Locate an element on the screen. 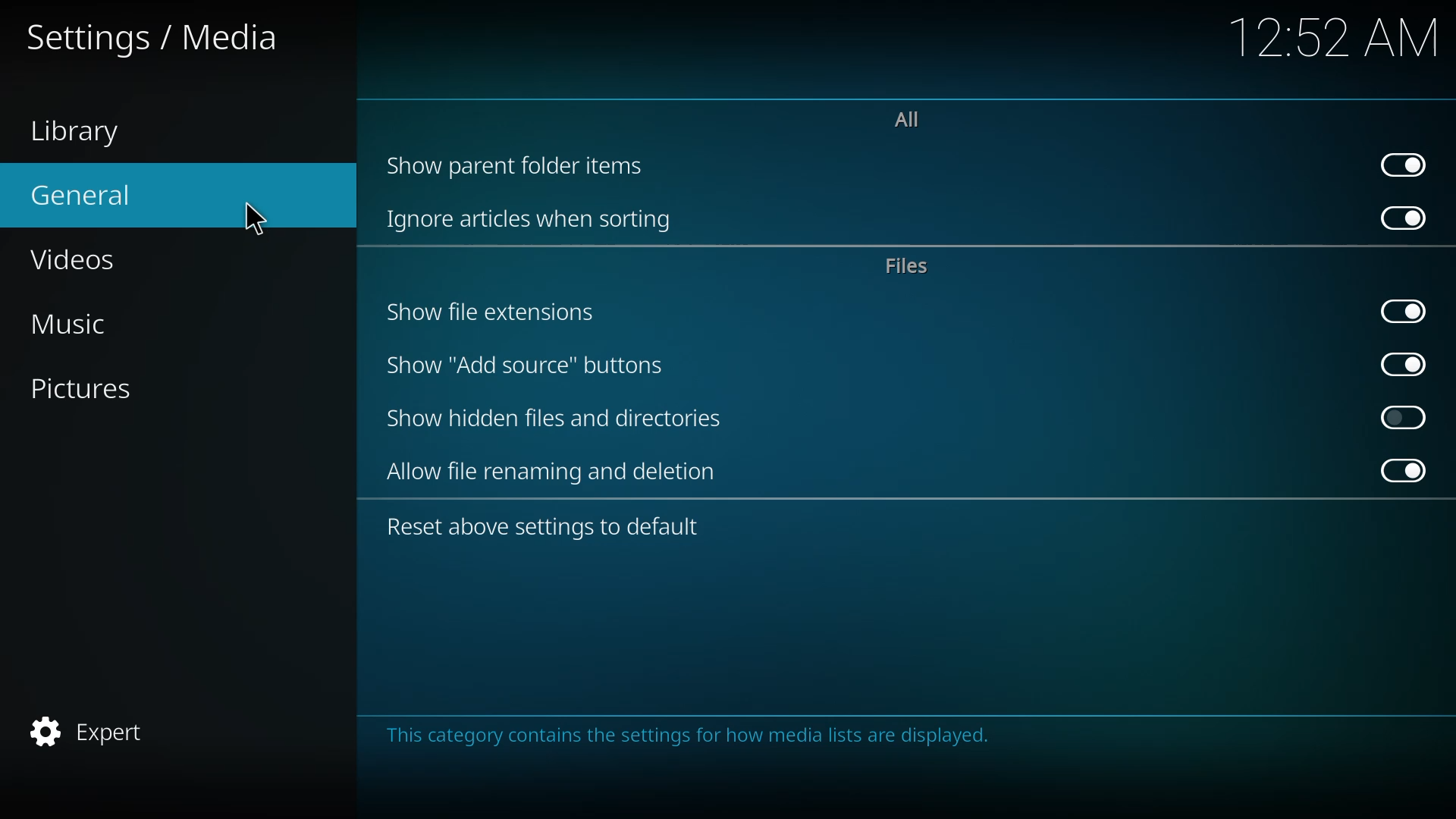 This screenshot has height=819, width=1456. ignore articles when sorting is located at coordinates (531, 216).